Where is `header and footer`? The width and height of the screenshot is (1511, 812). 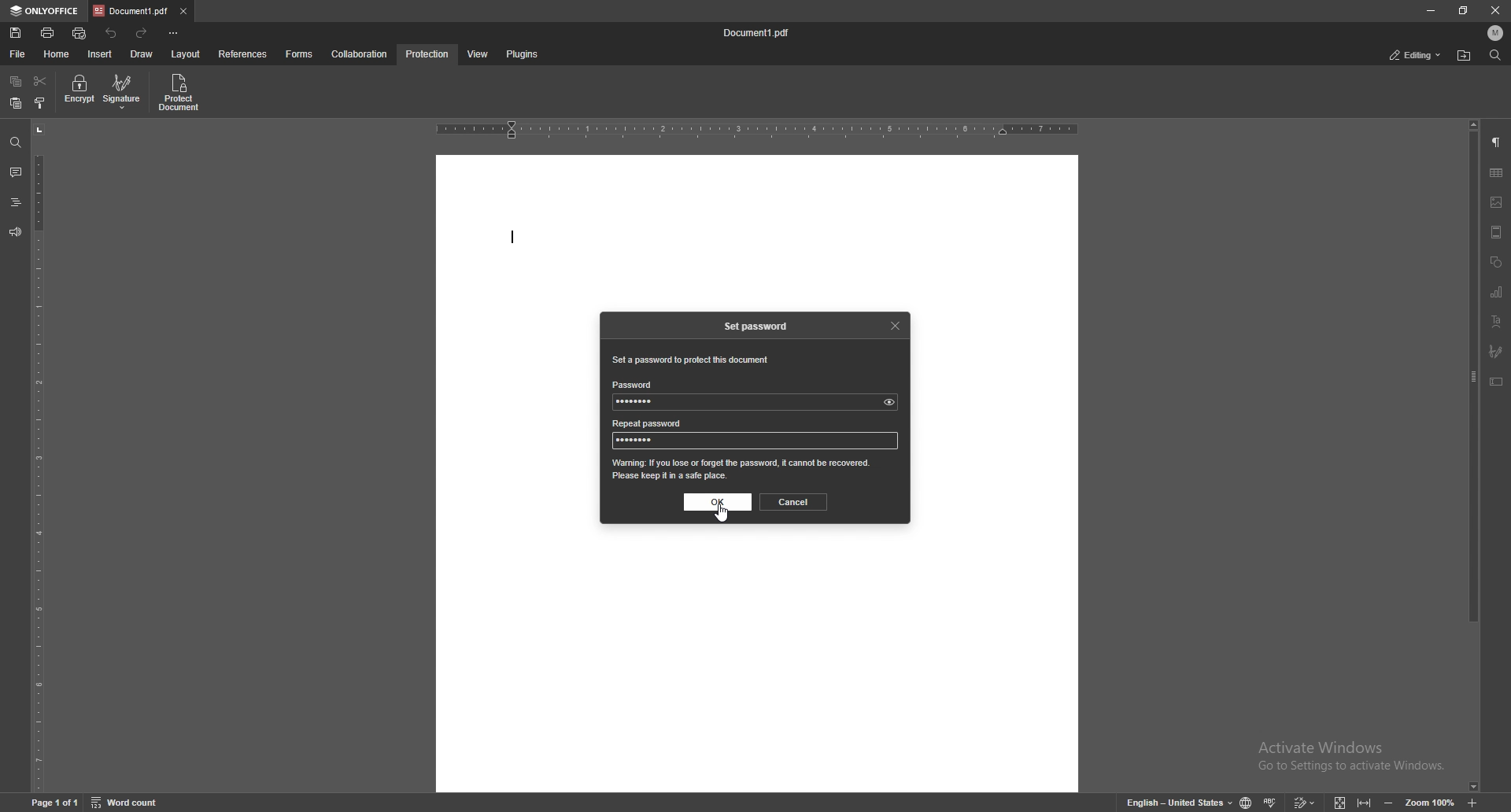
header and footer is located at coordinates (1496, 232).